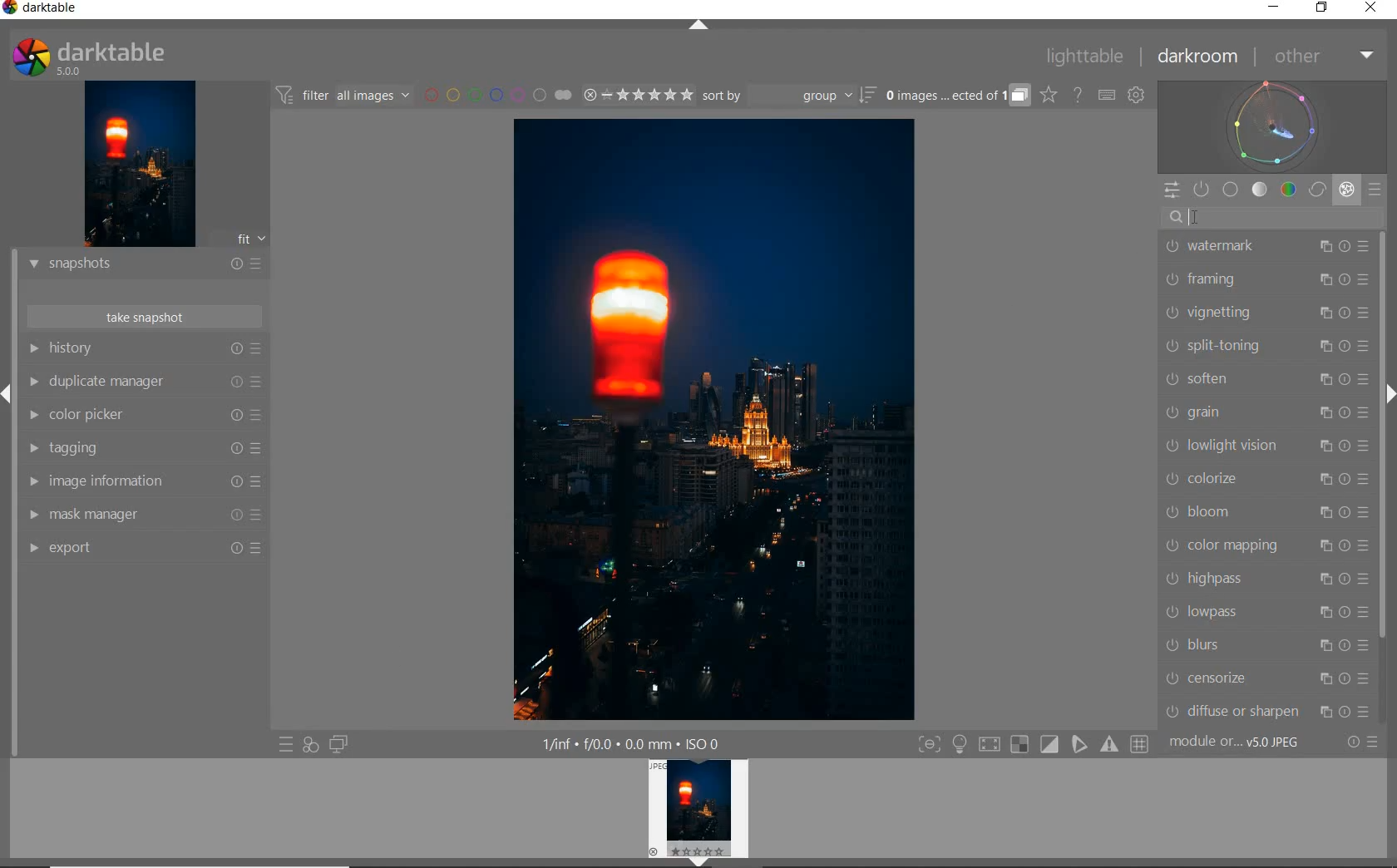  Describe the element at coordinates (234, 516) in the screenshot. I see `Reset` at that location.